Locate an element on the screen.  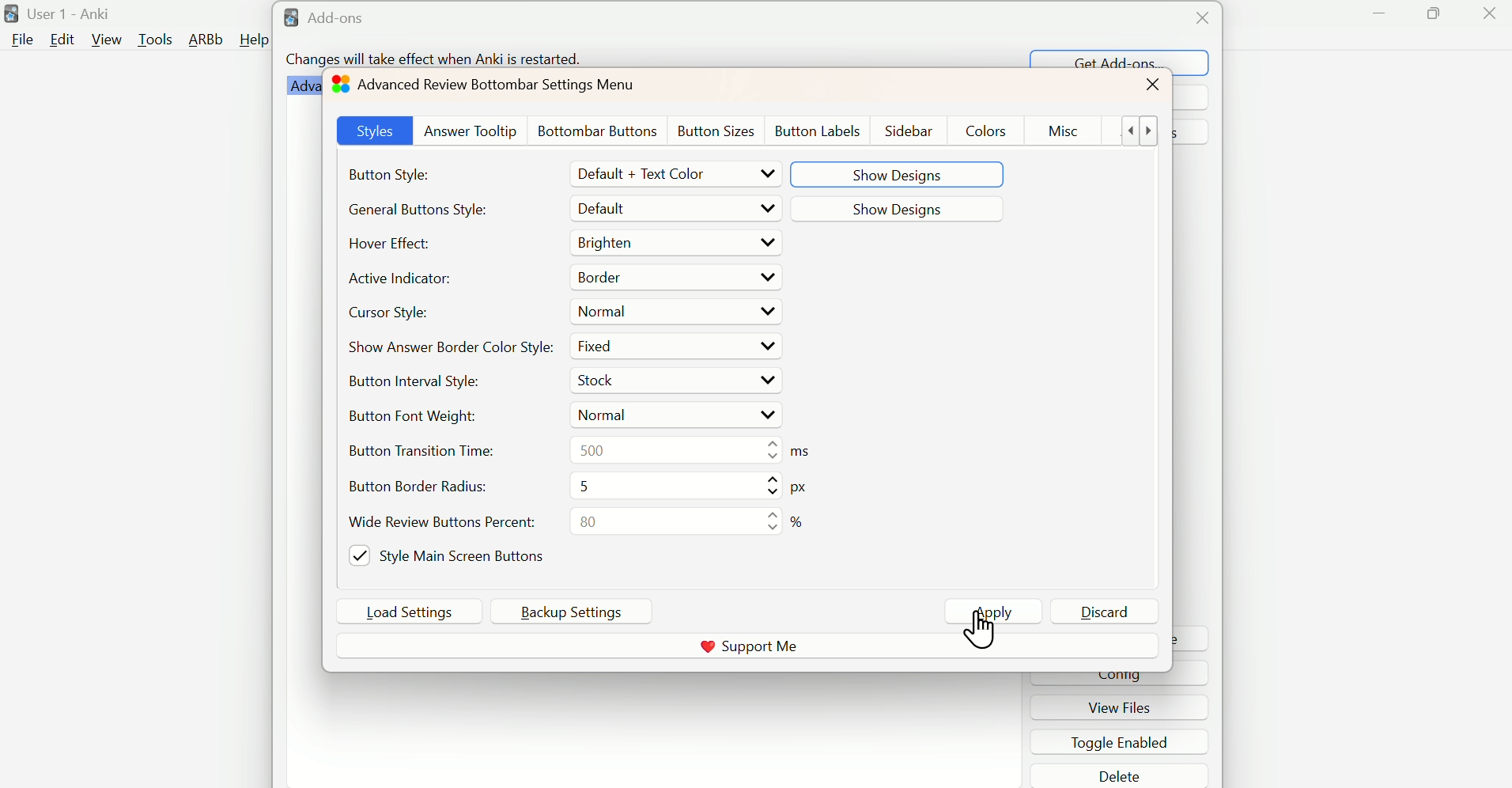
Normal is located at coordinates (598, 310).